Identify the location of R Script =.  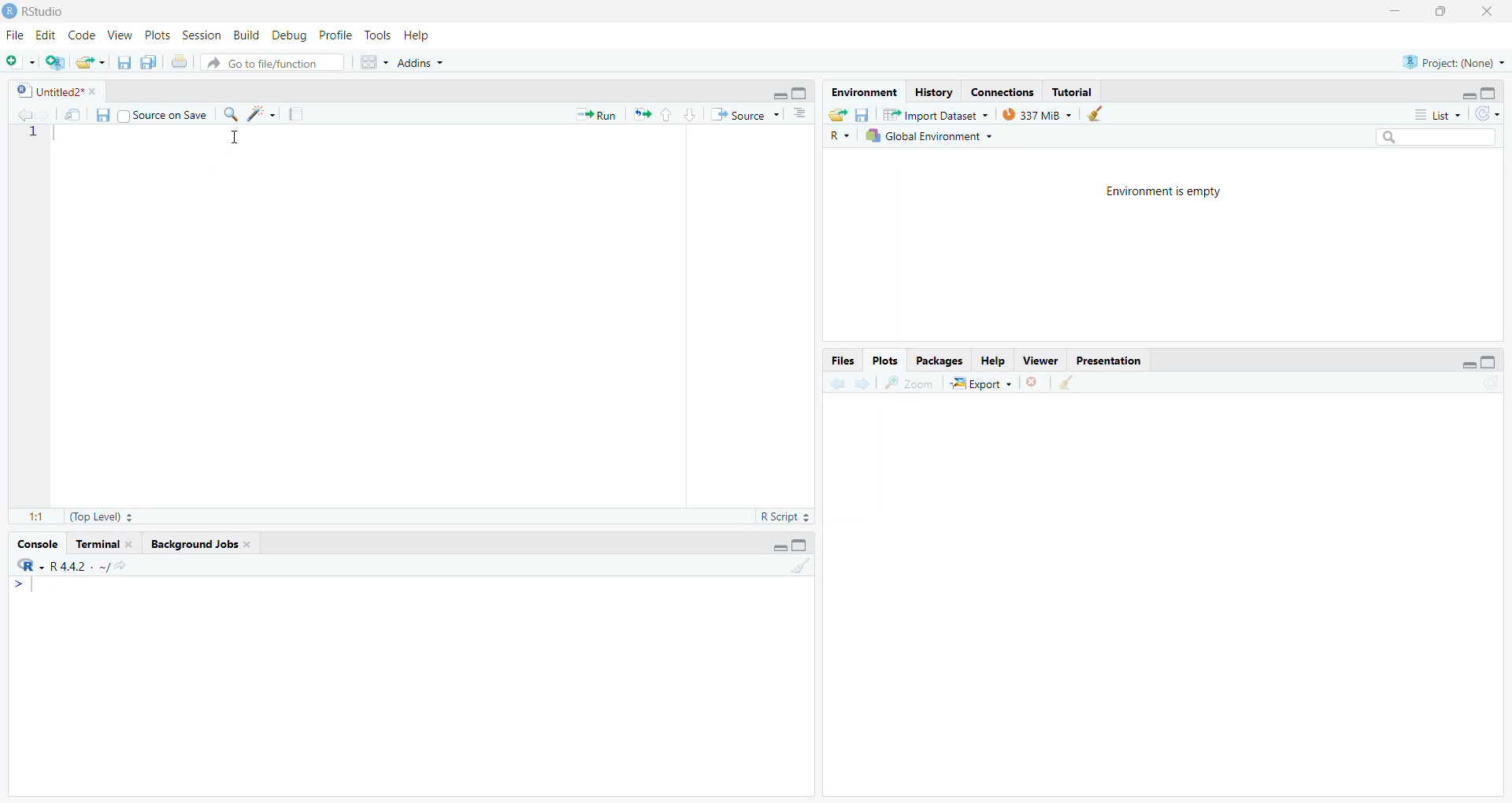
(783, 516).